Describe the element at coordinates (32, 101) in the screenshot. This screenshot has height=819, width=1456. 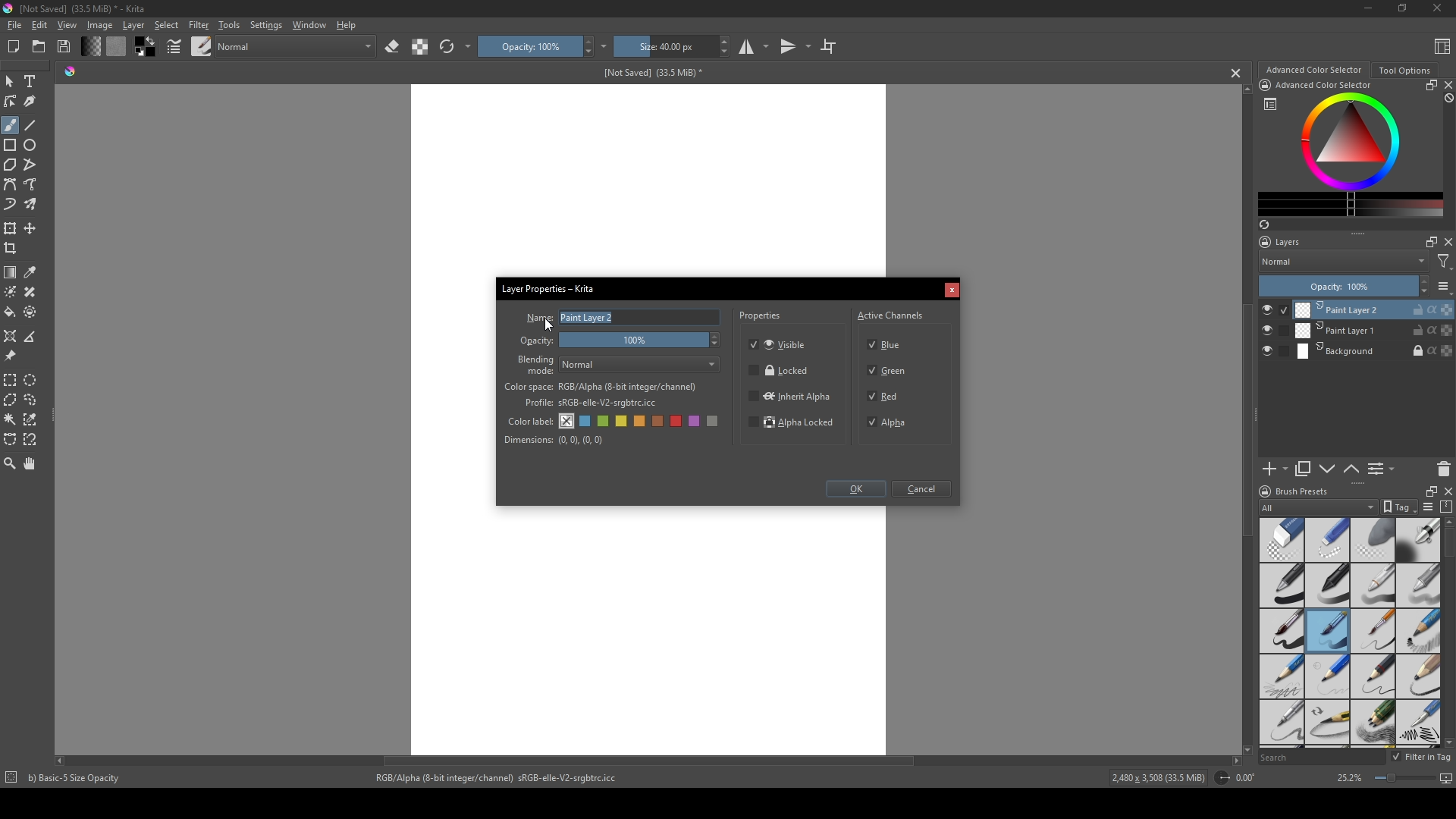
I see `calligraphy` at that location.